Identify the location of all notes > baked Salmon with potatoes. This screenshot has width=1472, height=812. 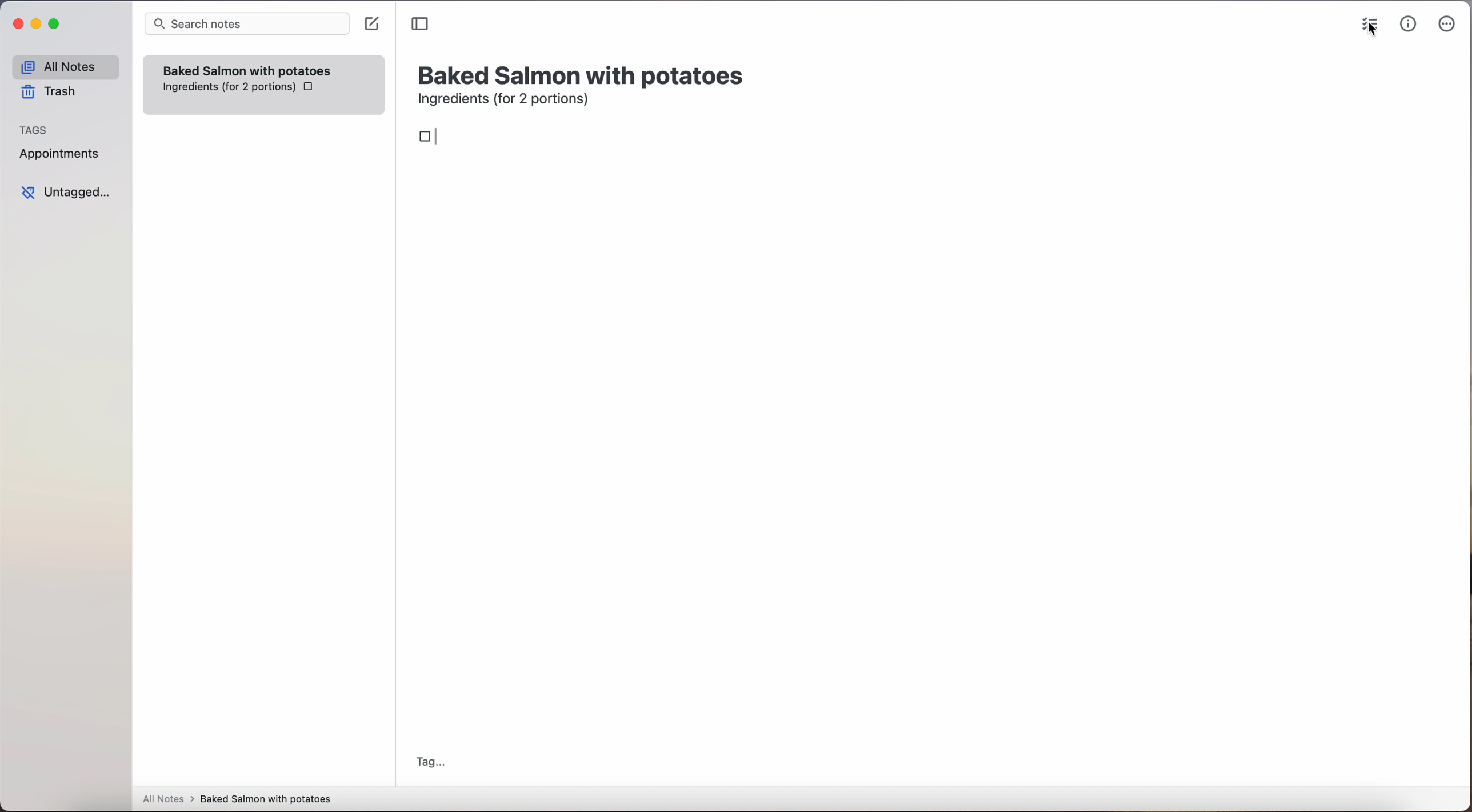
(237, 798).